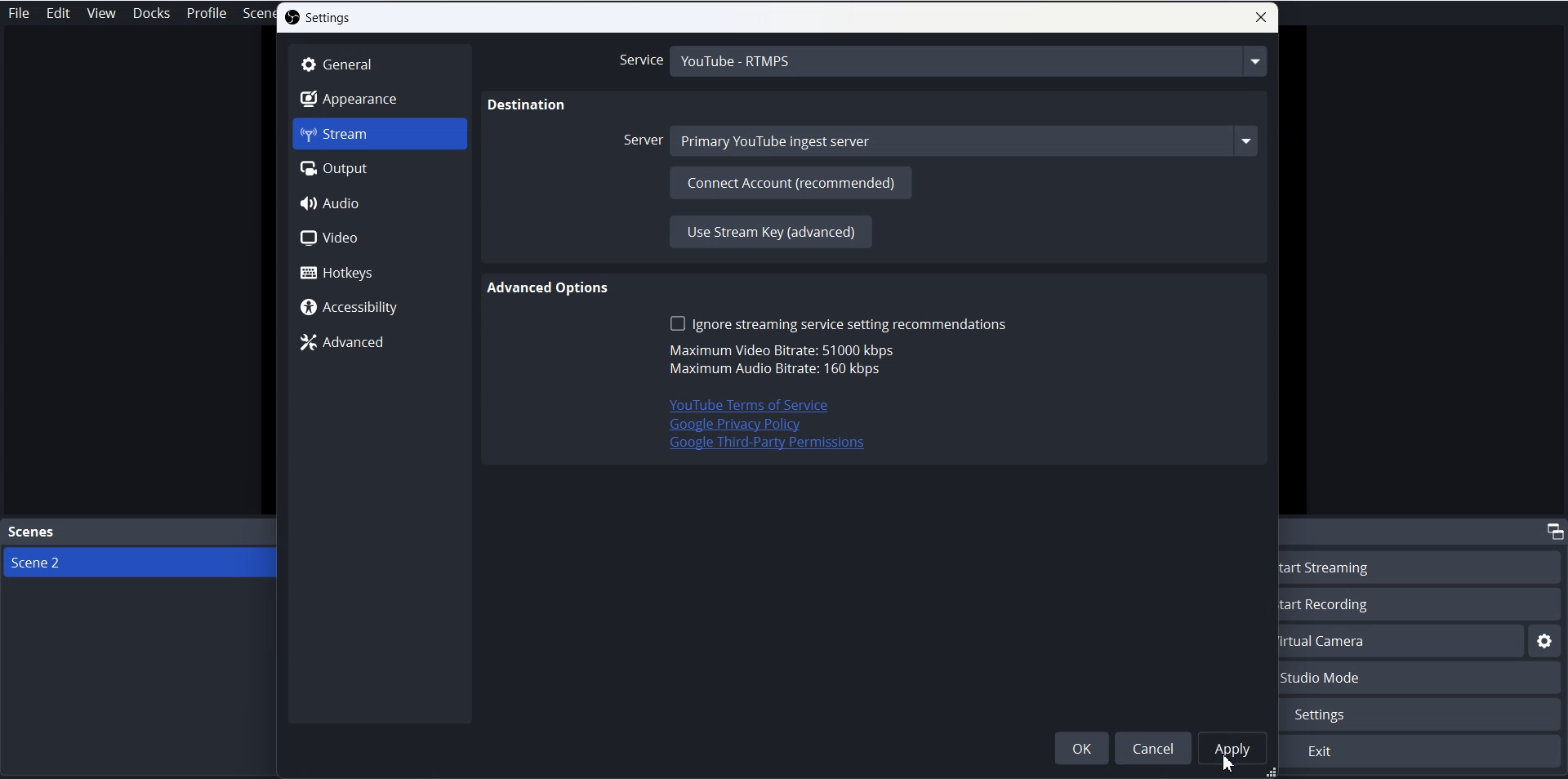 This screenshot has height=779, width=1568. What do you see at coordinates (378, 238) in the screenshot?
I see `Video` at bounding box center [378, 238].